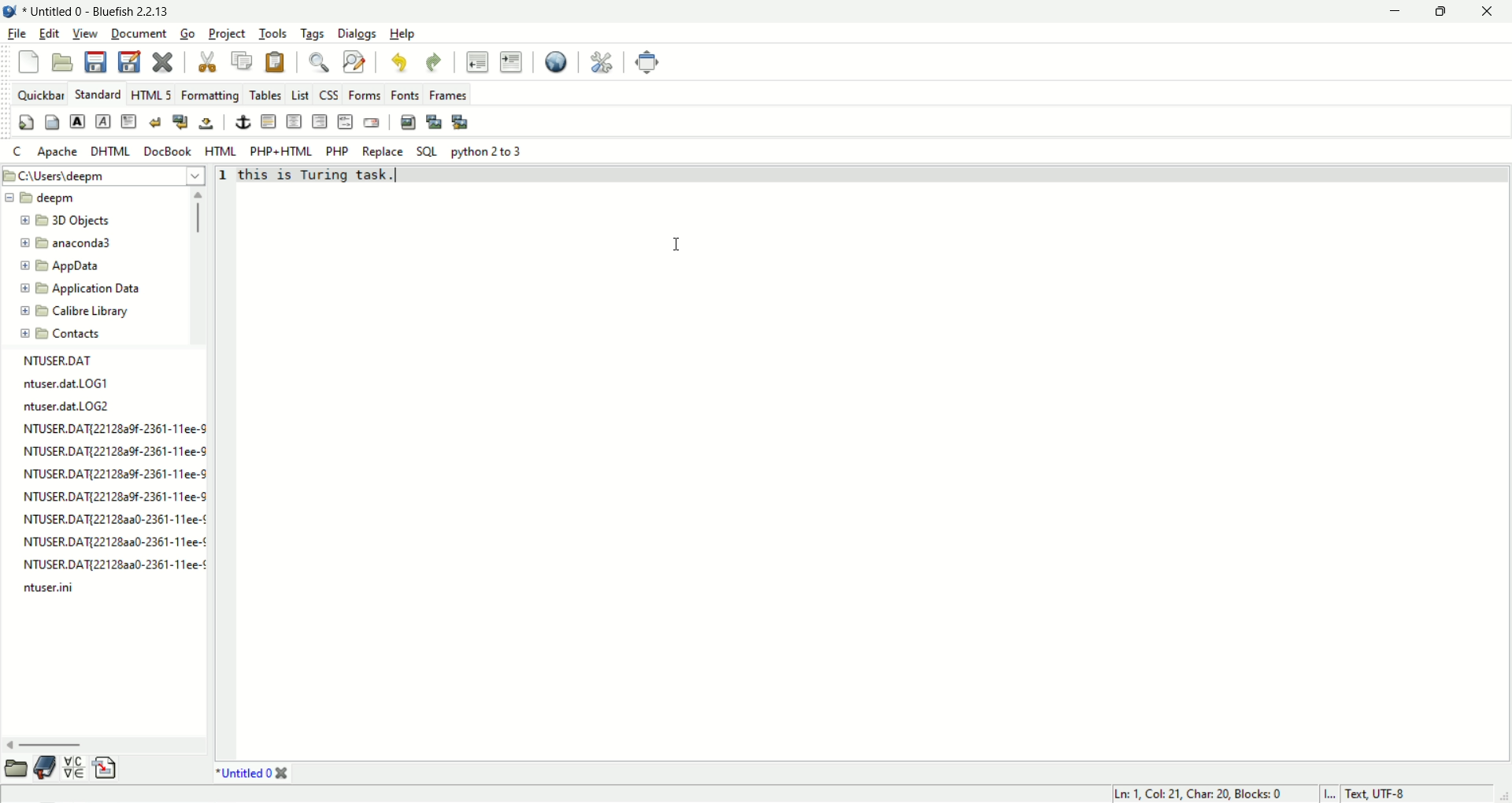  I want to click on application icon, so click(9, 9).